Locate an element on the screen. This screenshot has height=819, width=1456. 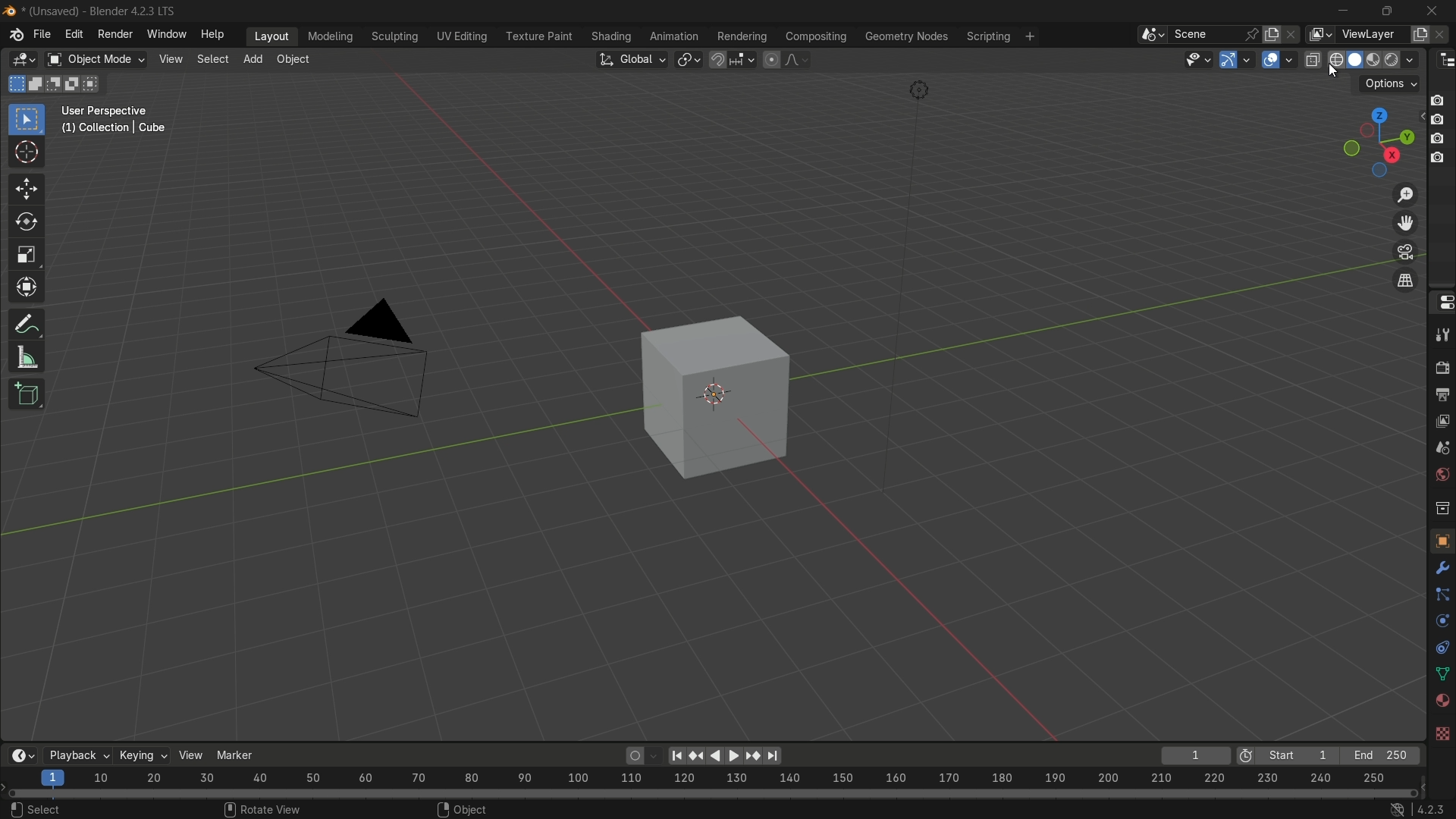
select is located at coordinates (35, 808).